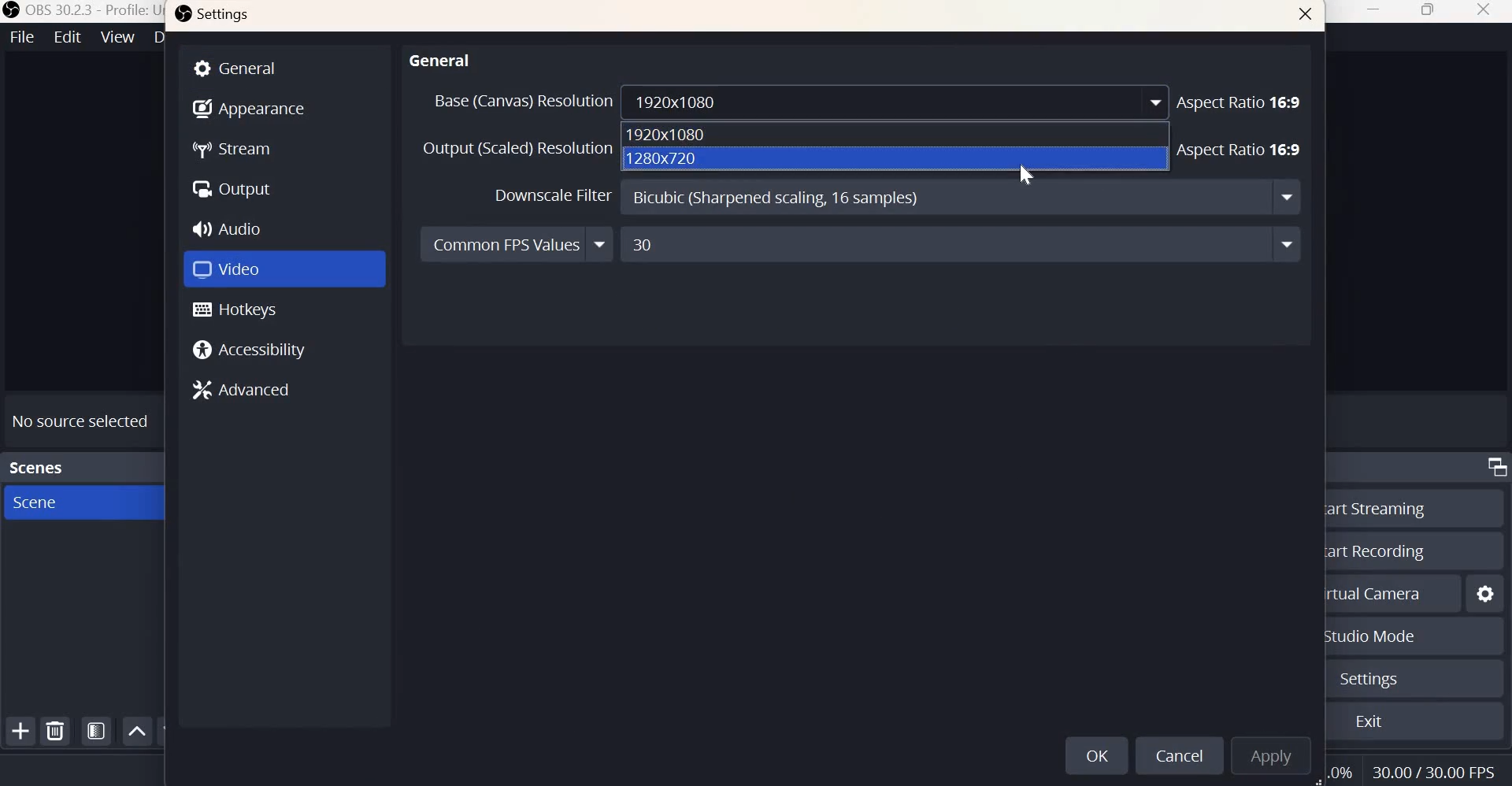 This screenshot has height=786, width=1512. Describe the element at coordinates (235, 310) in the screenshot. I see `Hotkeys` at that location.